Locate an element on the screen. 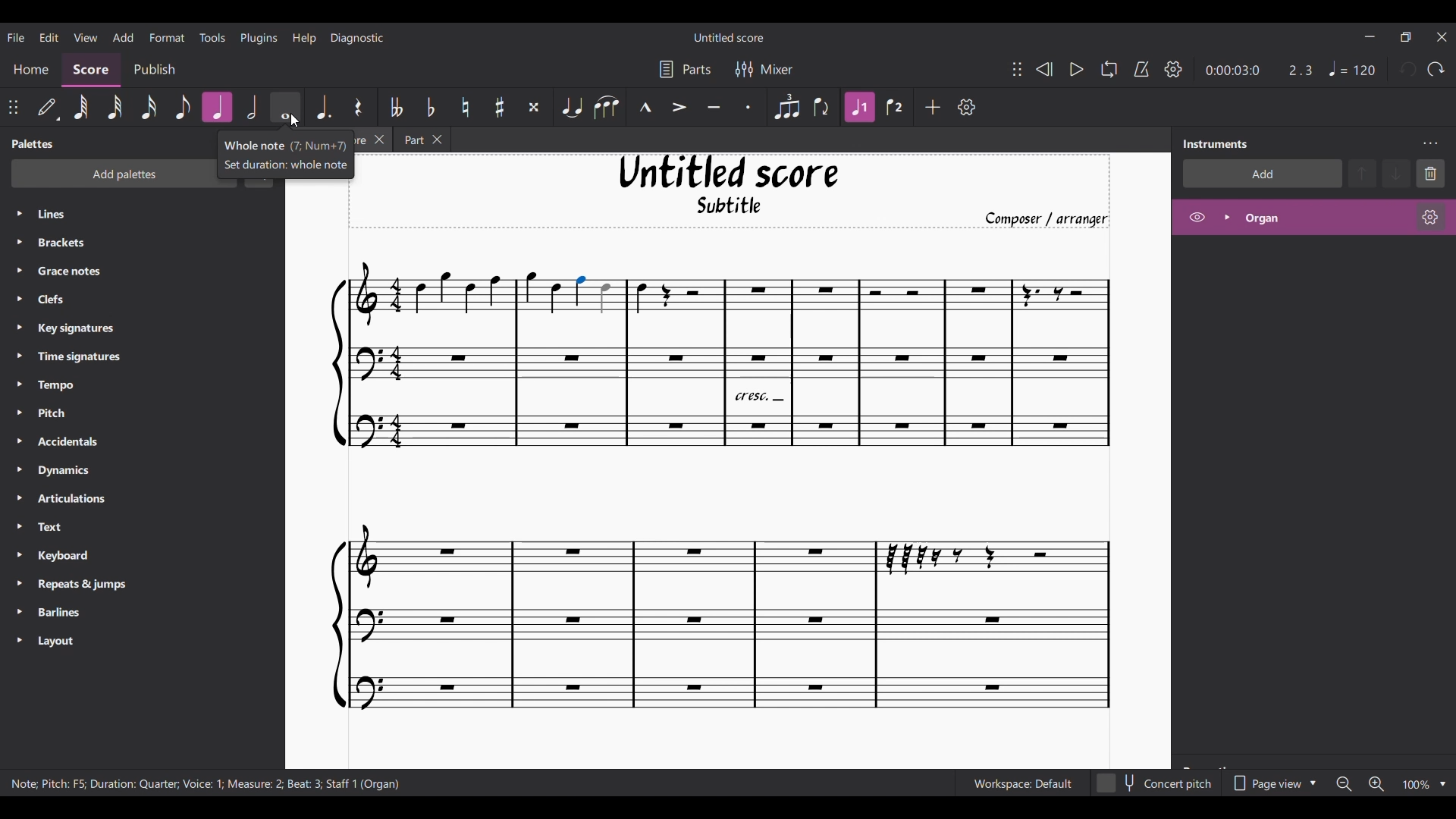 The image size is (1456, 819). Rest is located at coordinates (359, 106).